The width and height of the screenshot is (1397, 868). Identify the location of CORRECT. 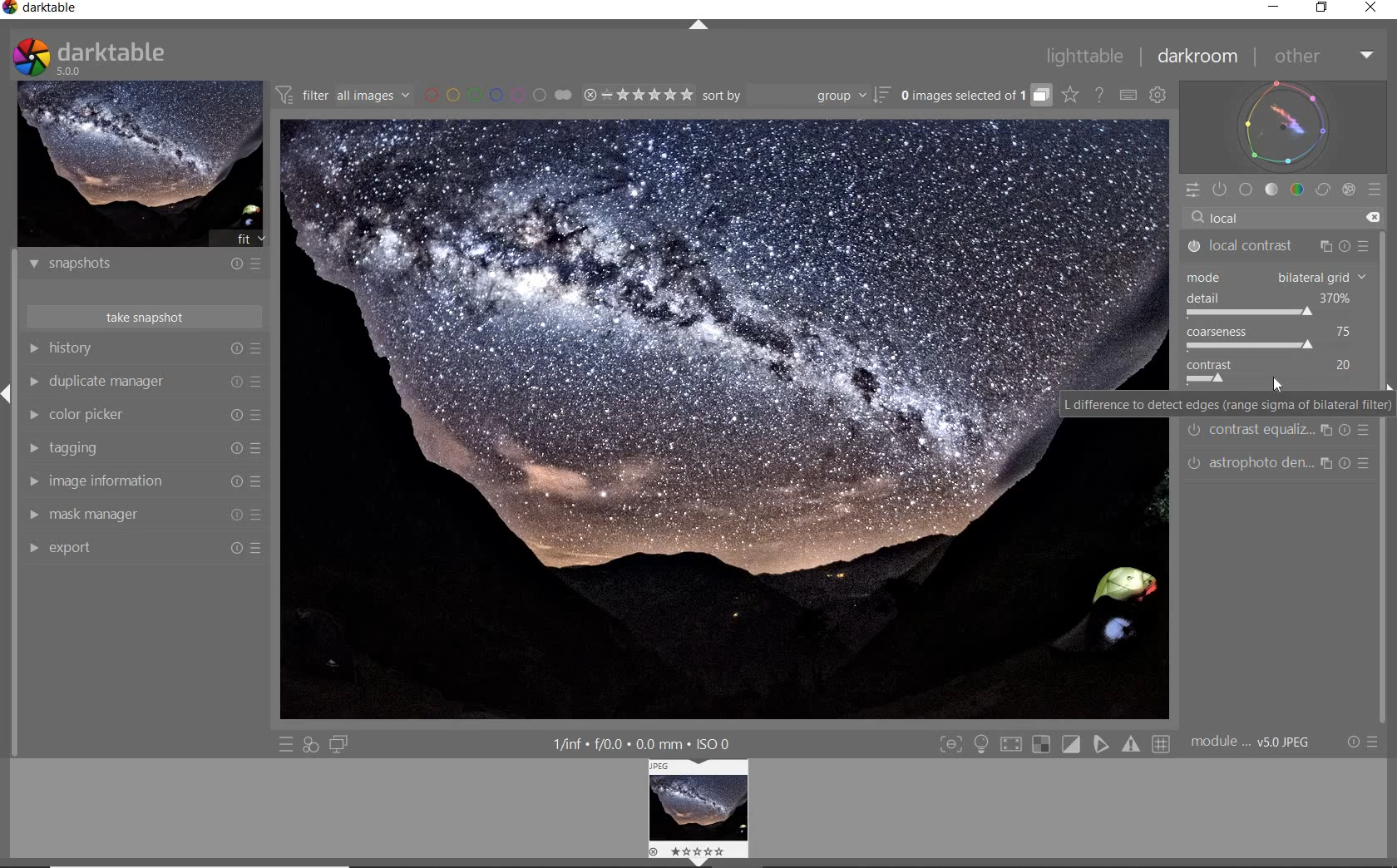
(1322, 190).